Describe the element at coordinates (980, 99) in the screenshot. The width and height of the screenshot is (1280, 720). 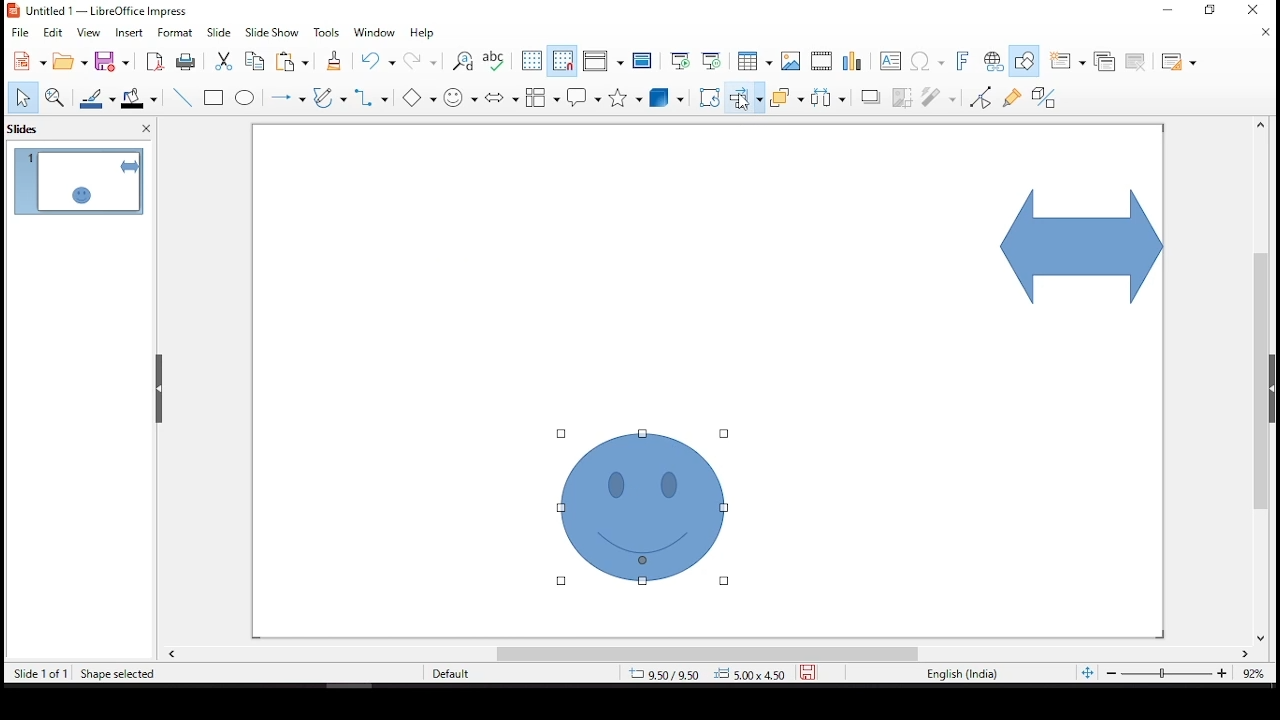
I see `toggle point edit mode` at that location.